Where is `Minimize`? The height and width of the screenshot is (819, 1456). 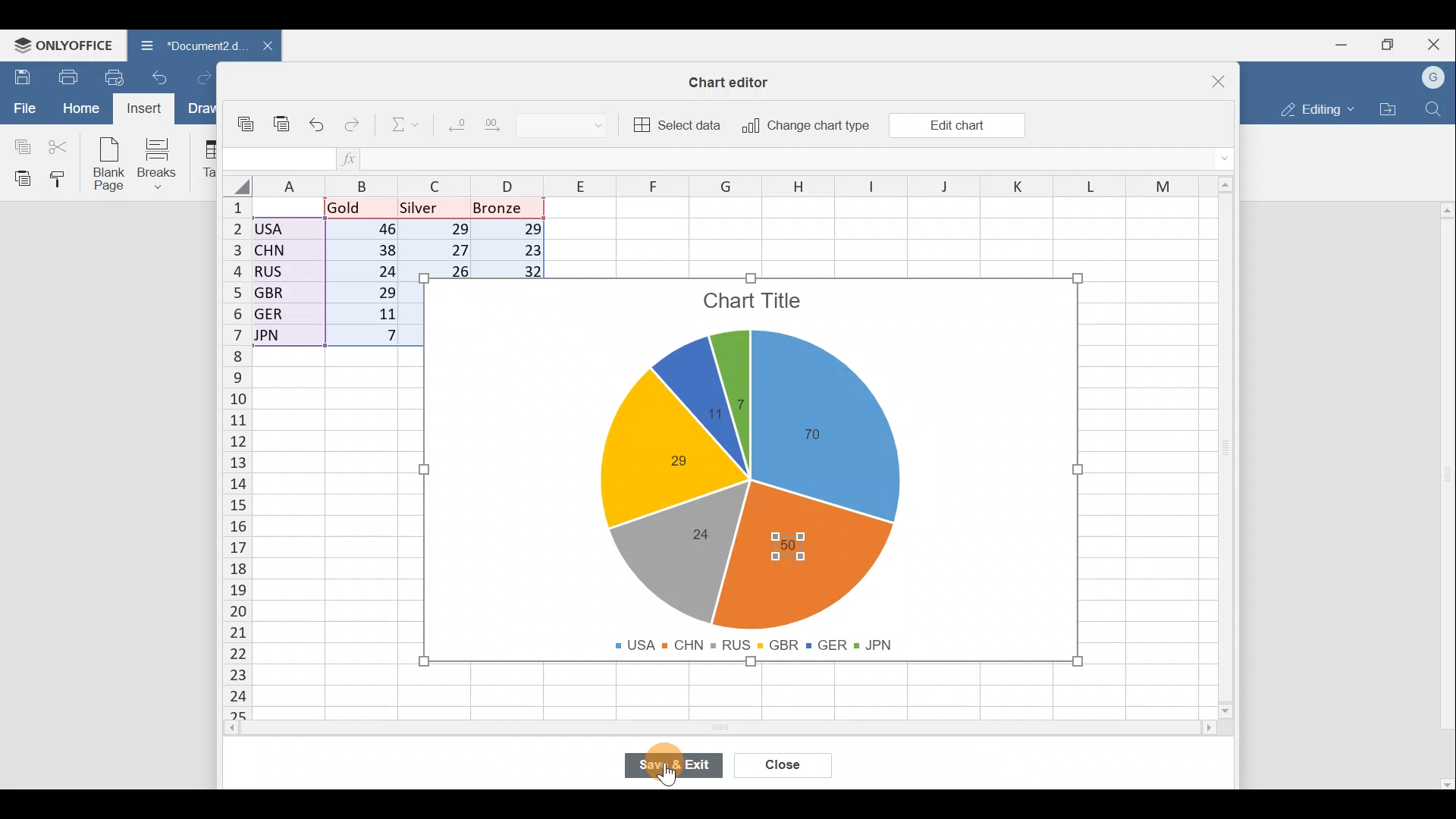
Minimize is located at coordinates (1347, 43).